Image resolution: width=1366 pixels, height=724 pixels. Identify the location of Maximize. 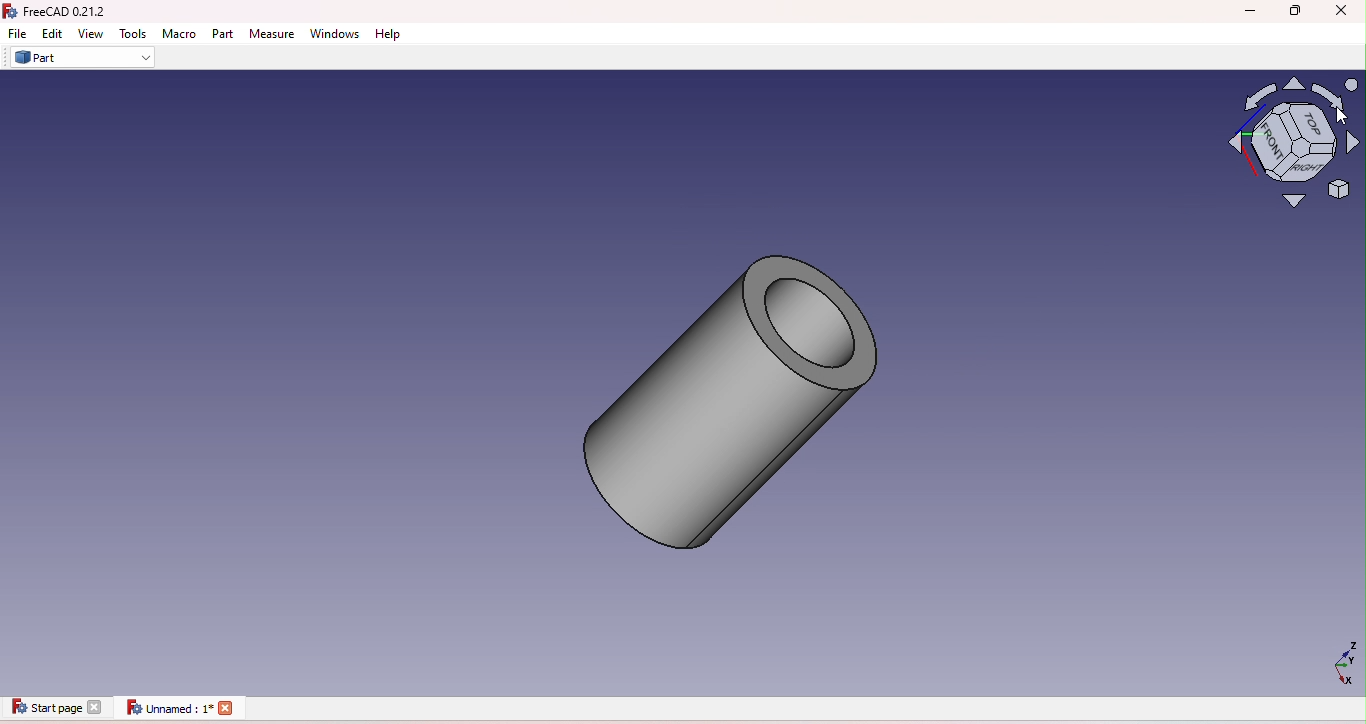
(1296, 10).